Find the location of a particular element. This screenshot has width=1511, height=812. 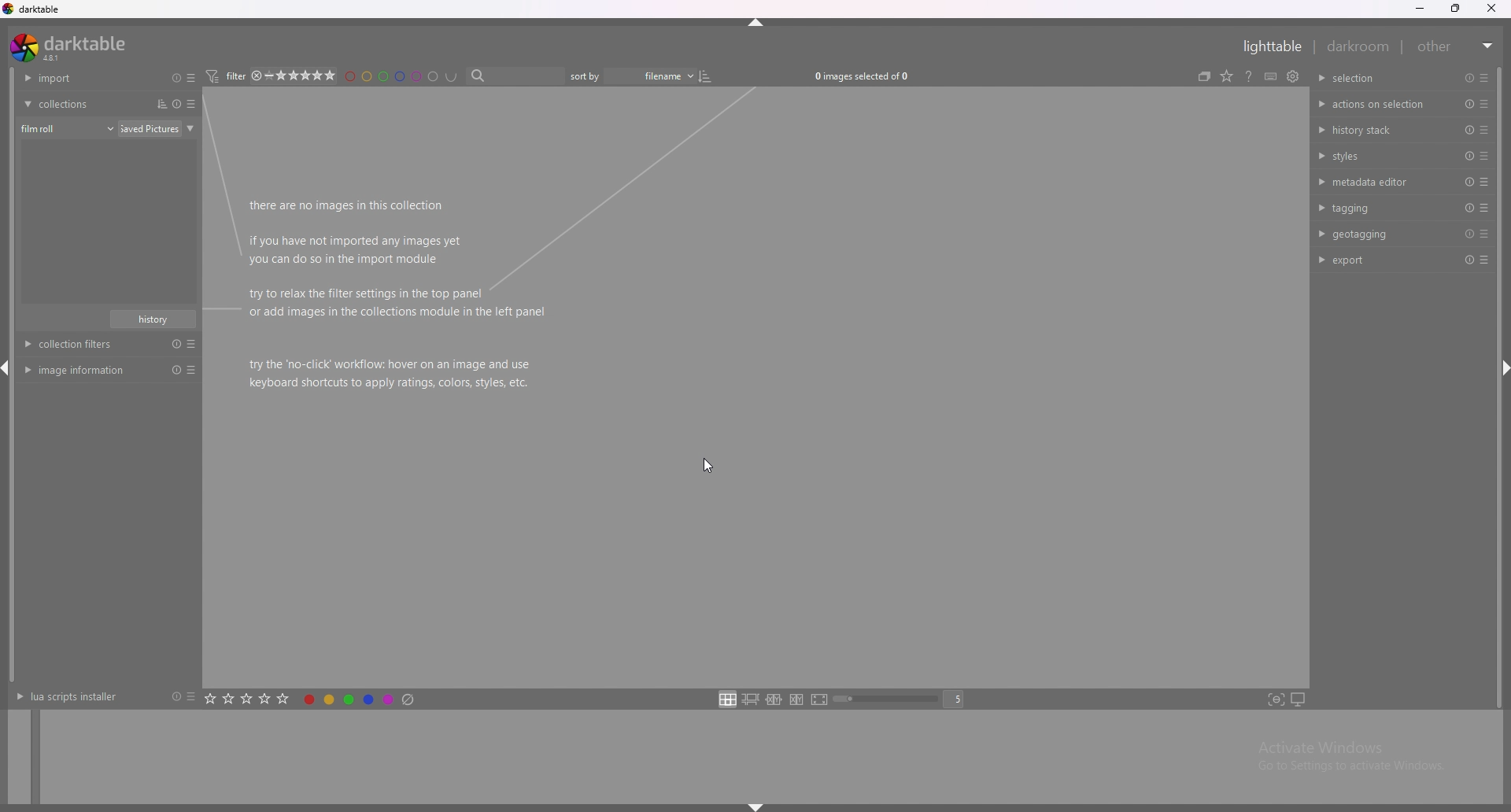

search bar is located at coordinates (519, 76).